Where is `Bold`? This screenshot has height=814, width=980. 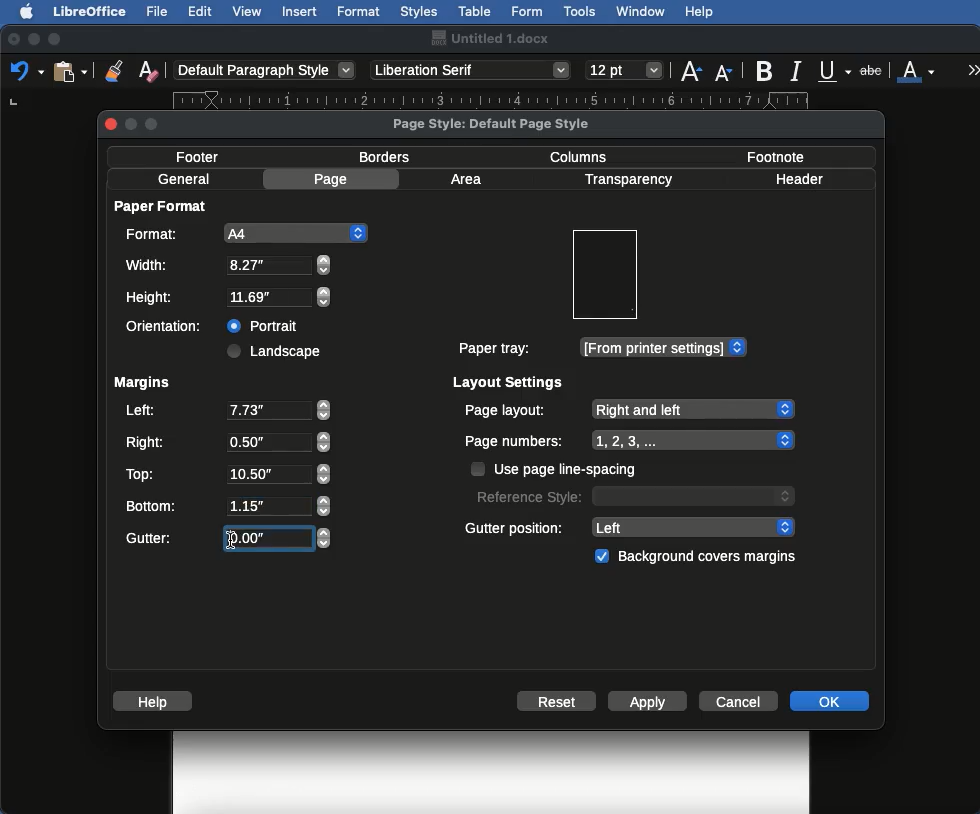 Bold is located at coordinates (766, 71).